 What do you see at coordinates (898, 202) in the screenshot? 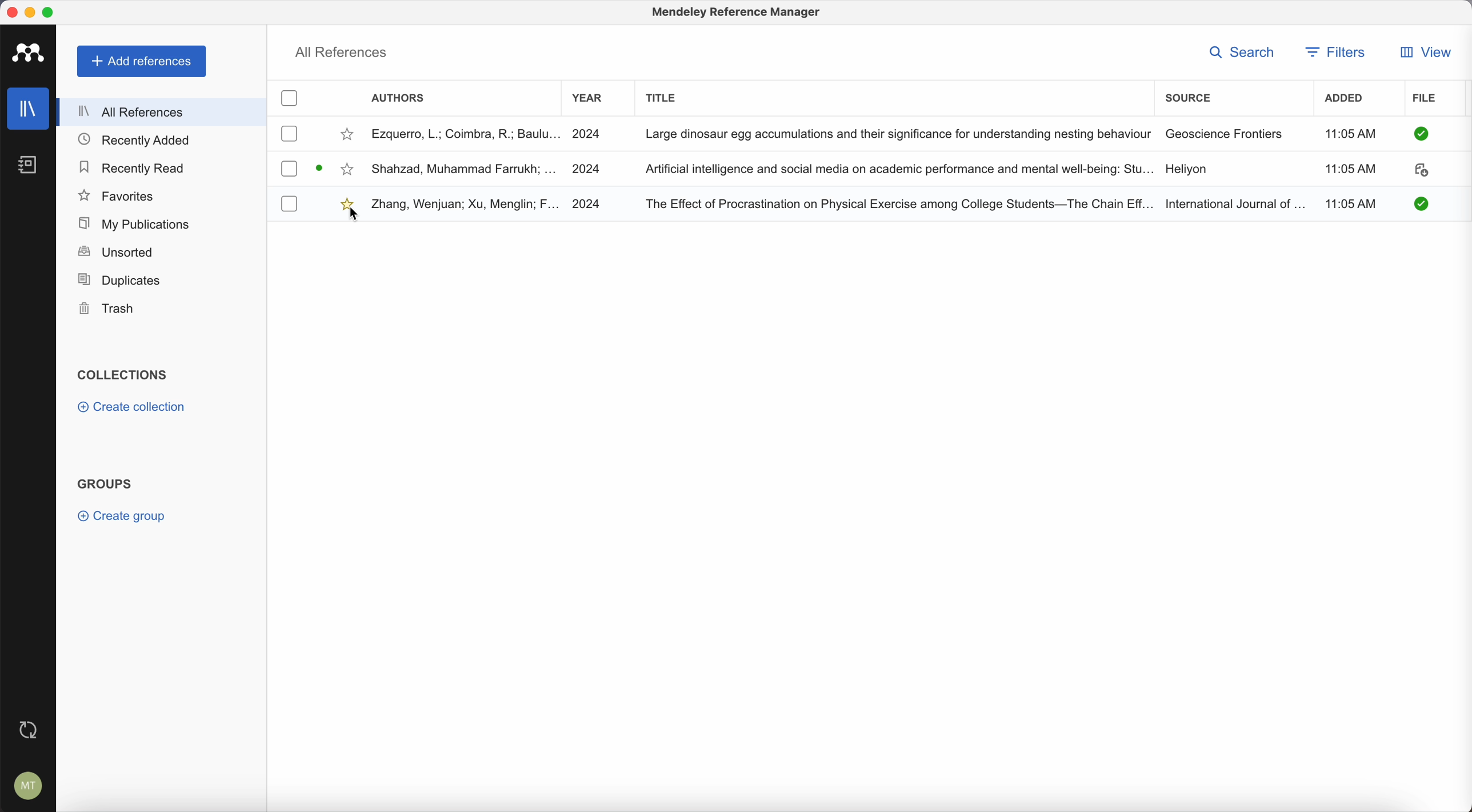
I see `The Effect of Procastination on phtysical exercise college students - The Chain Eff...` at bounding box center [898, 202].